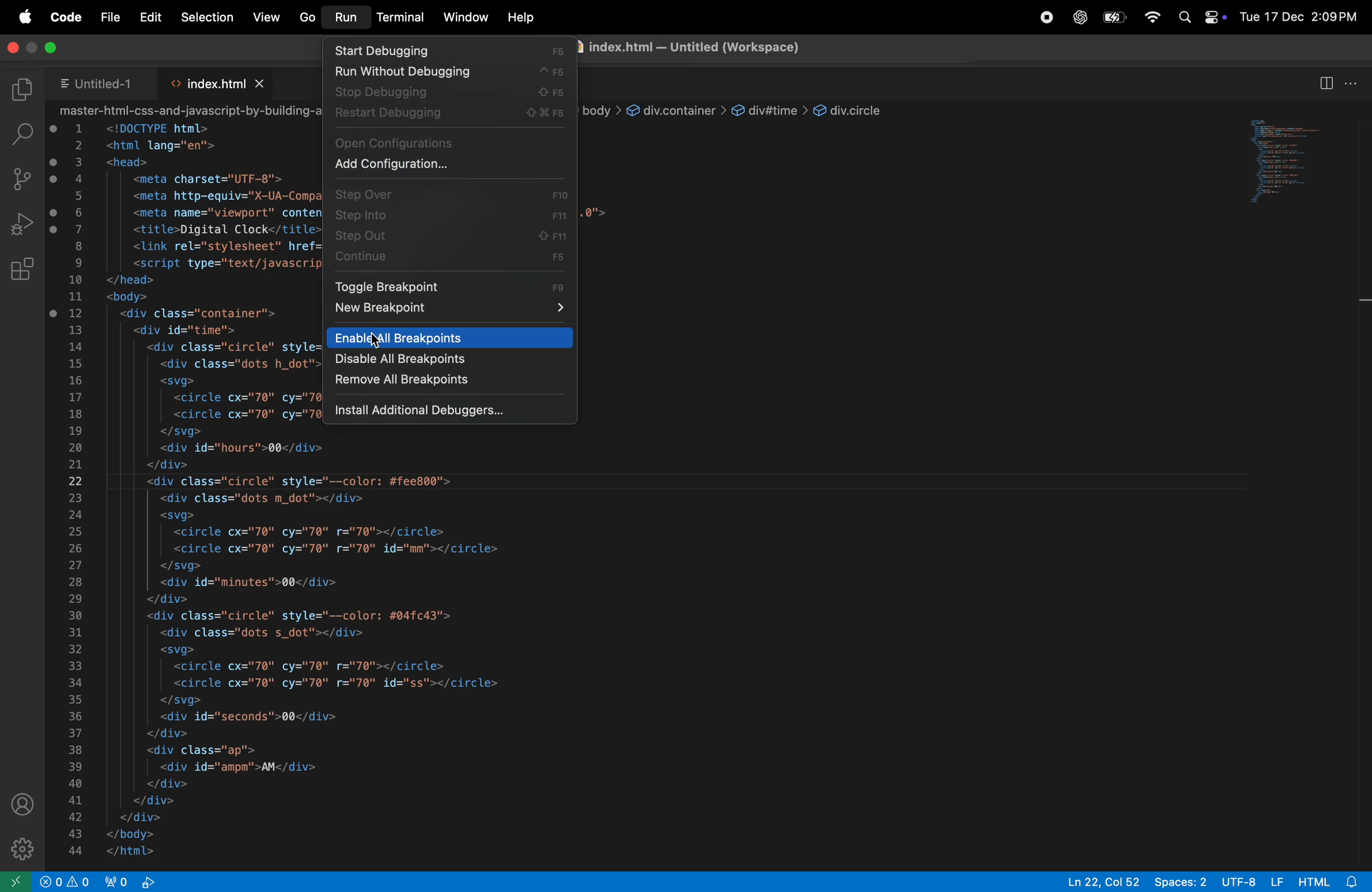 Image resolution: width=1372 pixels, height=892 pixels. What do you see at coordinates (150, 882) in the screenshot?
I see `no live ports forwarded` at bounding box center [150, 882].